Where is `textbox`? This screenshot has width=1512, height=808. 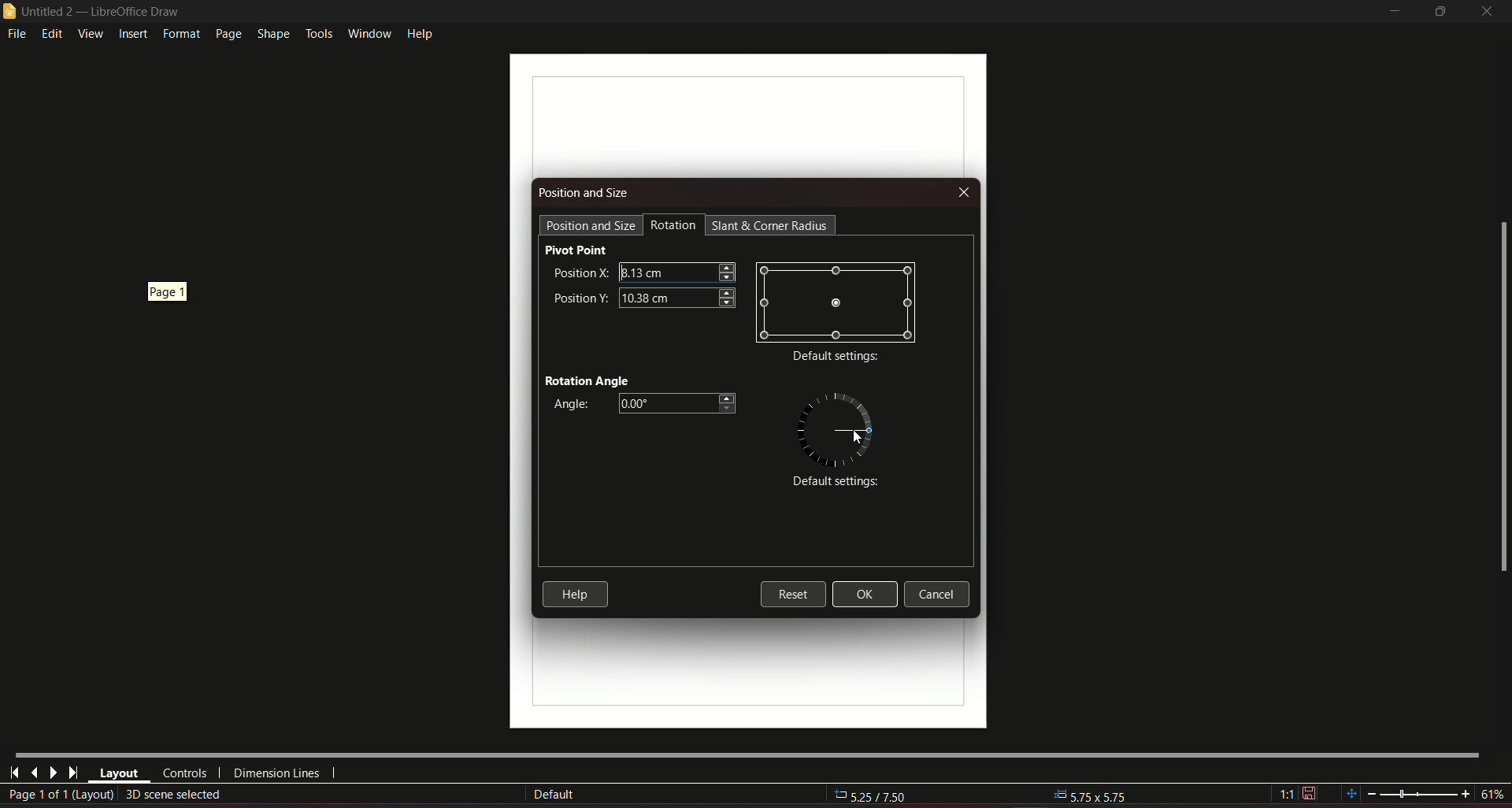
textbox is located at coordinates (676, 271).